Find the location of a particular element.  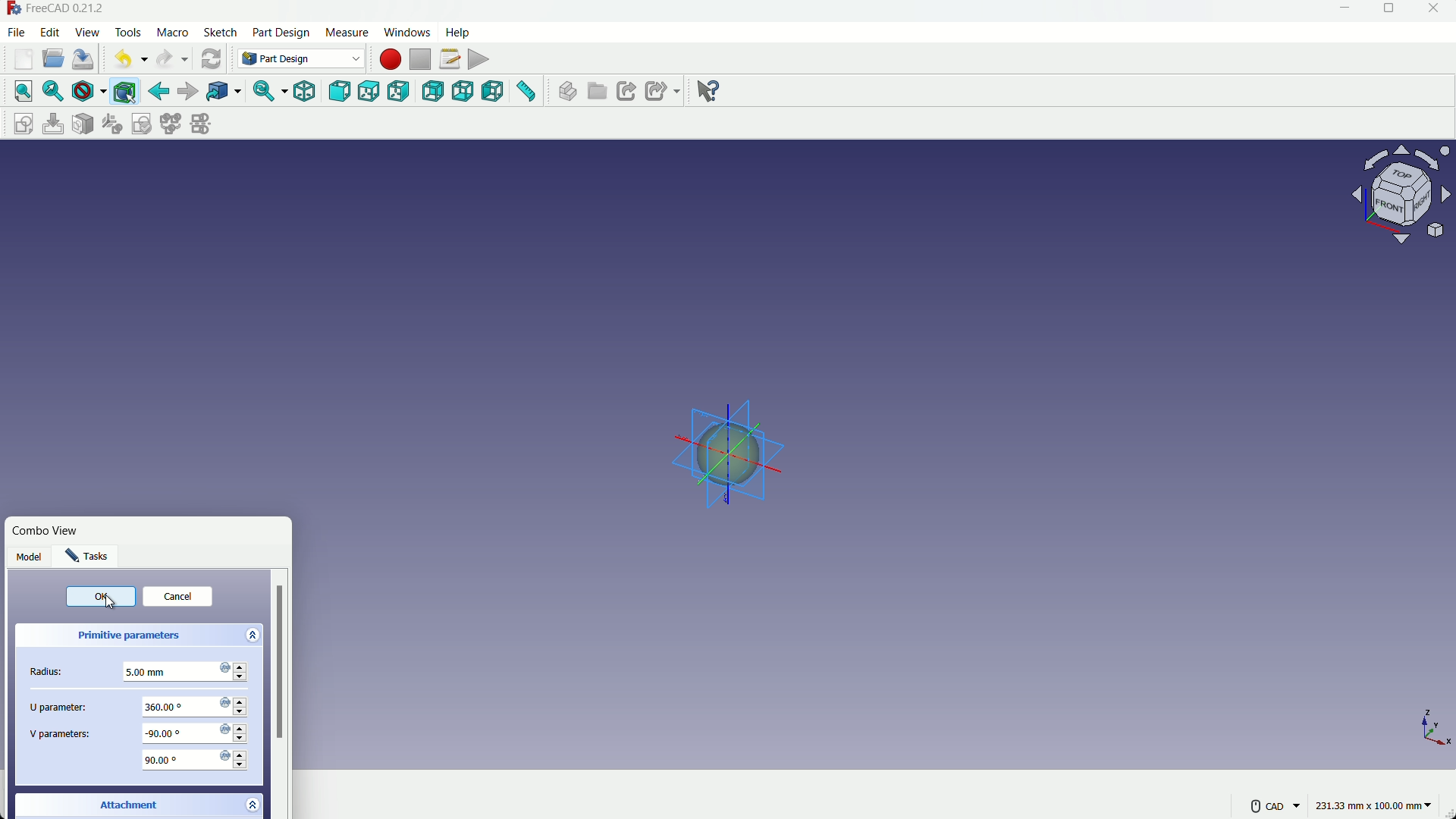

edit  is located at coordinates (50, 31).